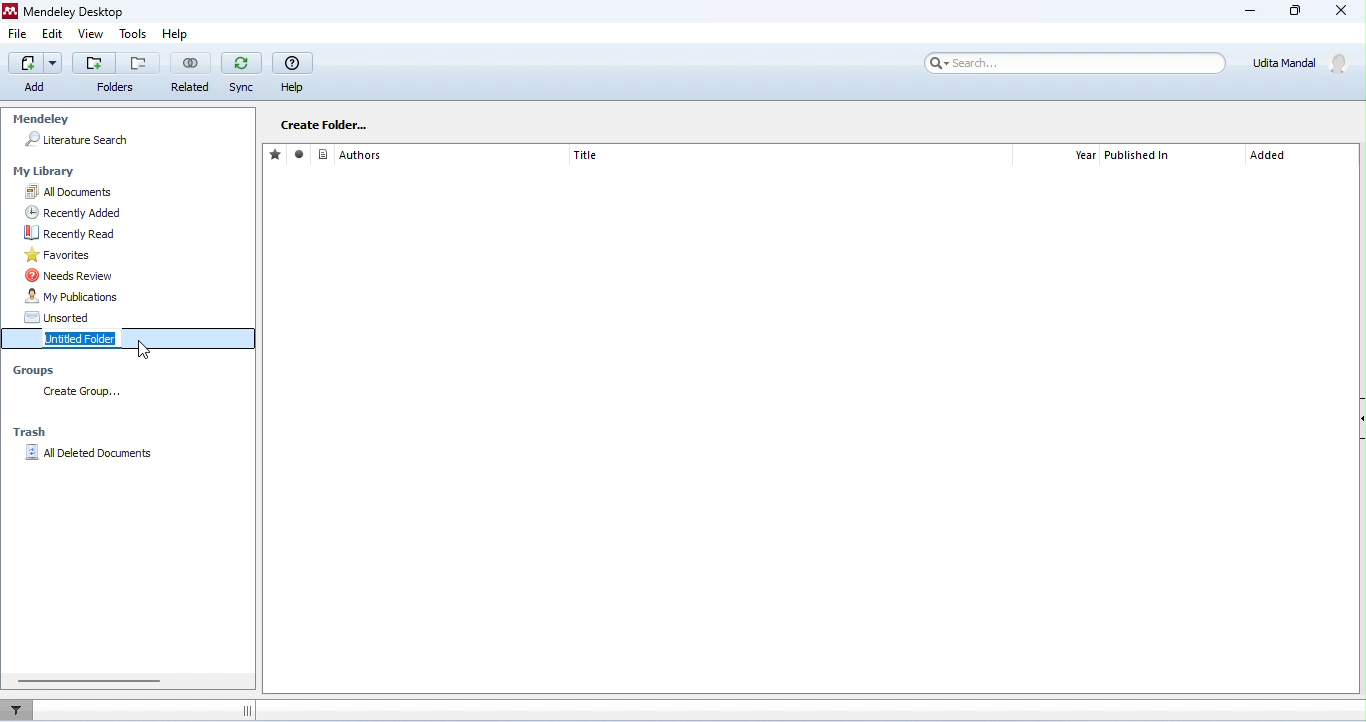 Image resolution: width=1366 pixels, height=722 pixels. Describe the element at coordinates (94, 453) in the screenshot. I see `all deleted documents` at that location.